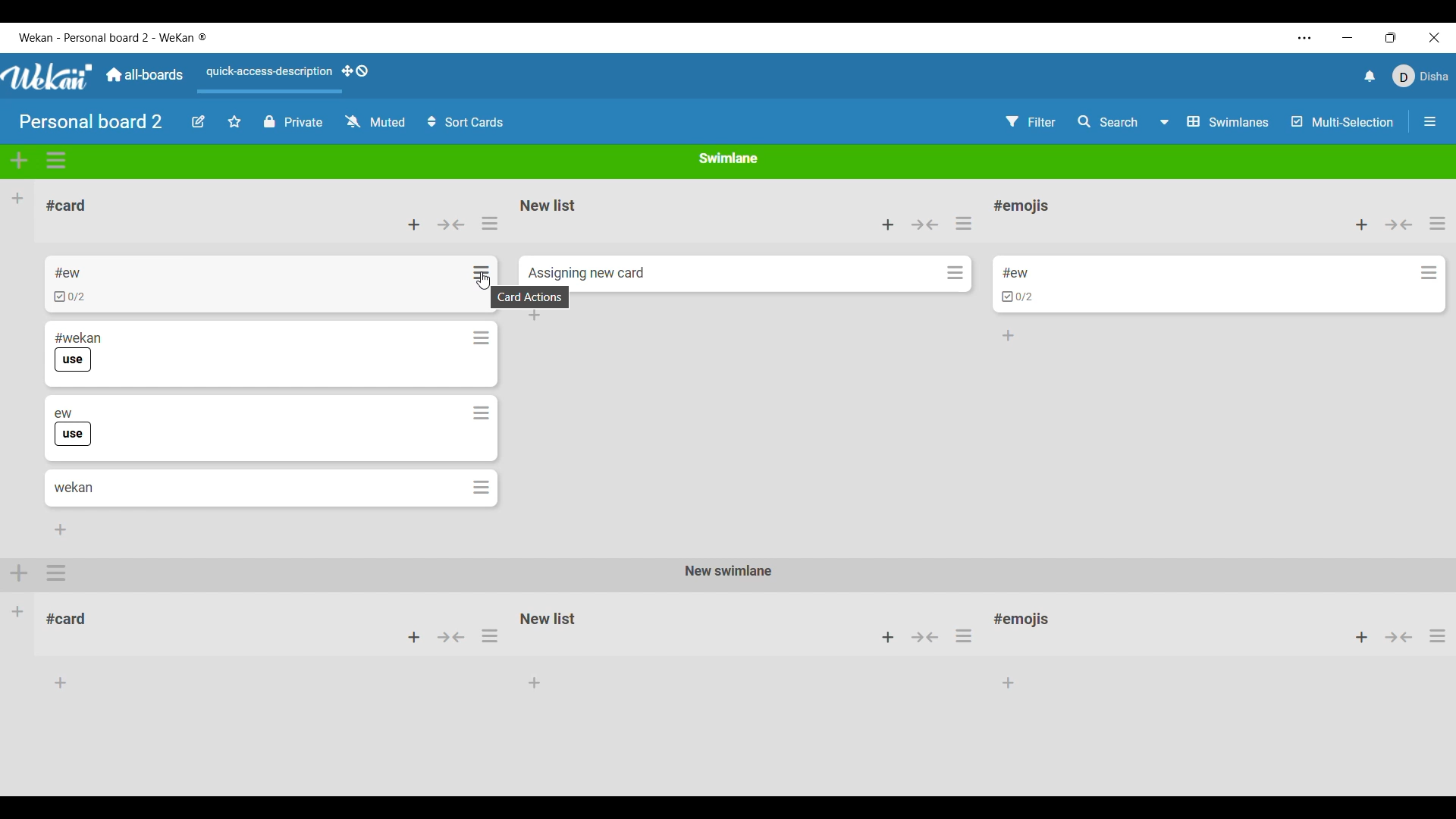 The height and width of the screenshot is (819, 1456). What do you see at coordinates (1109, 121) in the screenshot?
I see `Search ` at bounding box center [1109, 121].